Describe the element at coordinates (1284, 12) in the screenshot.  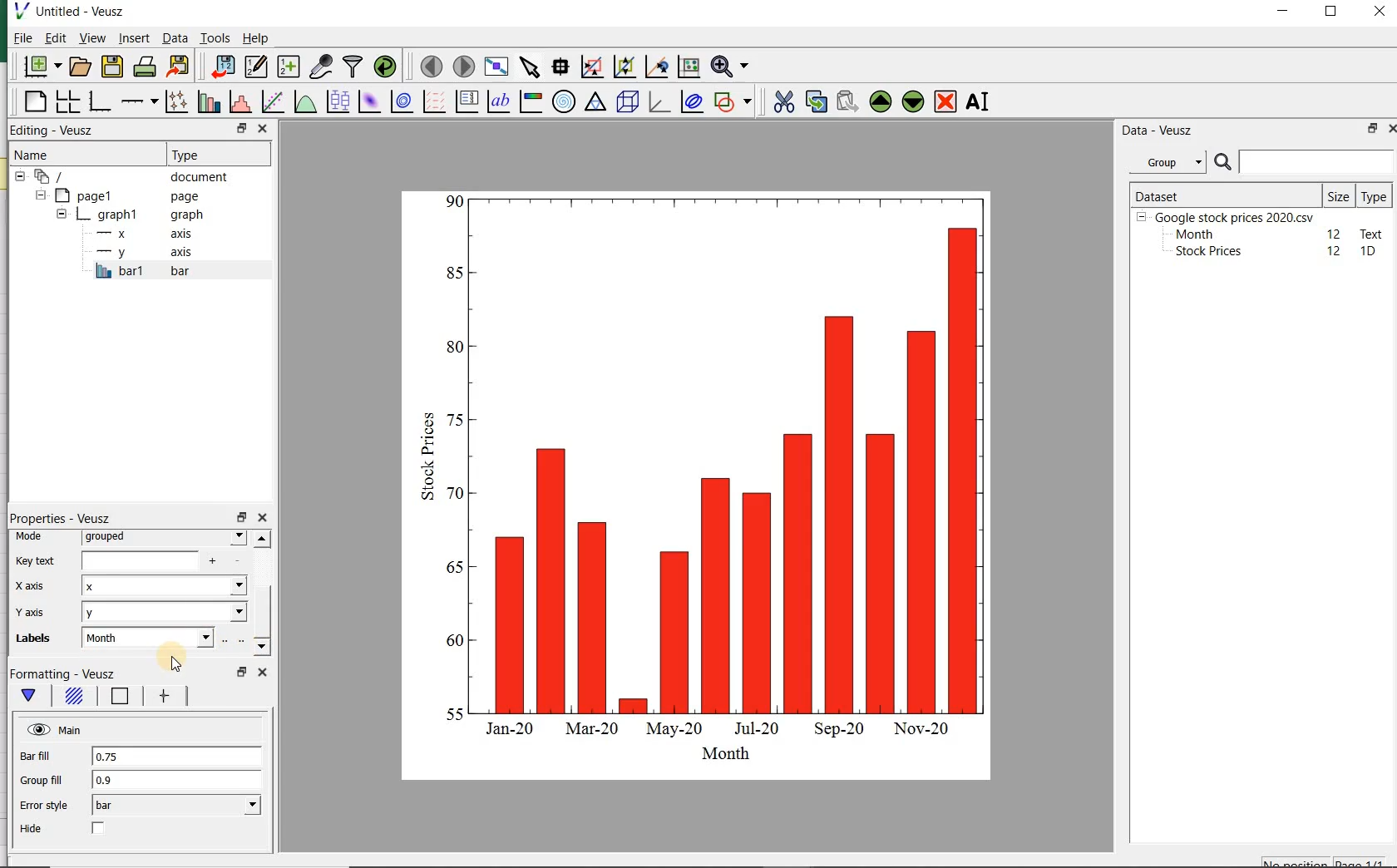
I see `minimize` at that location.